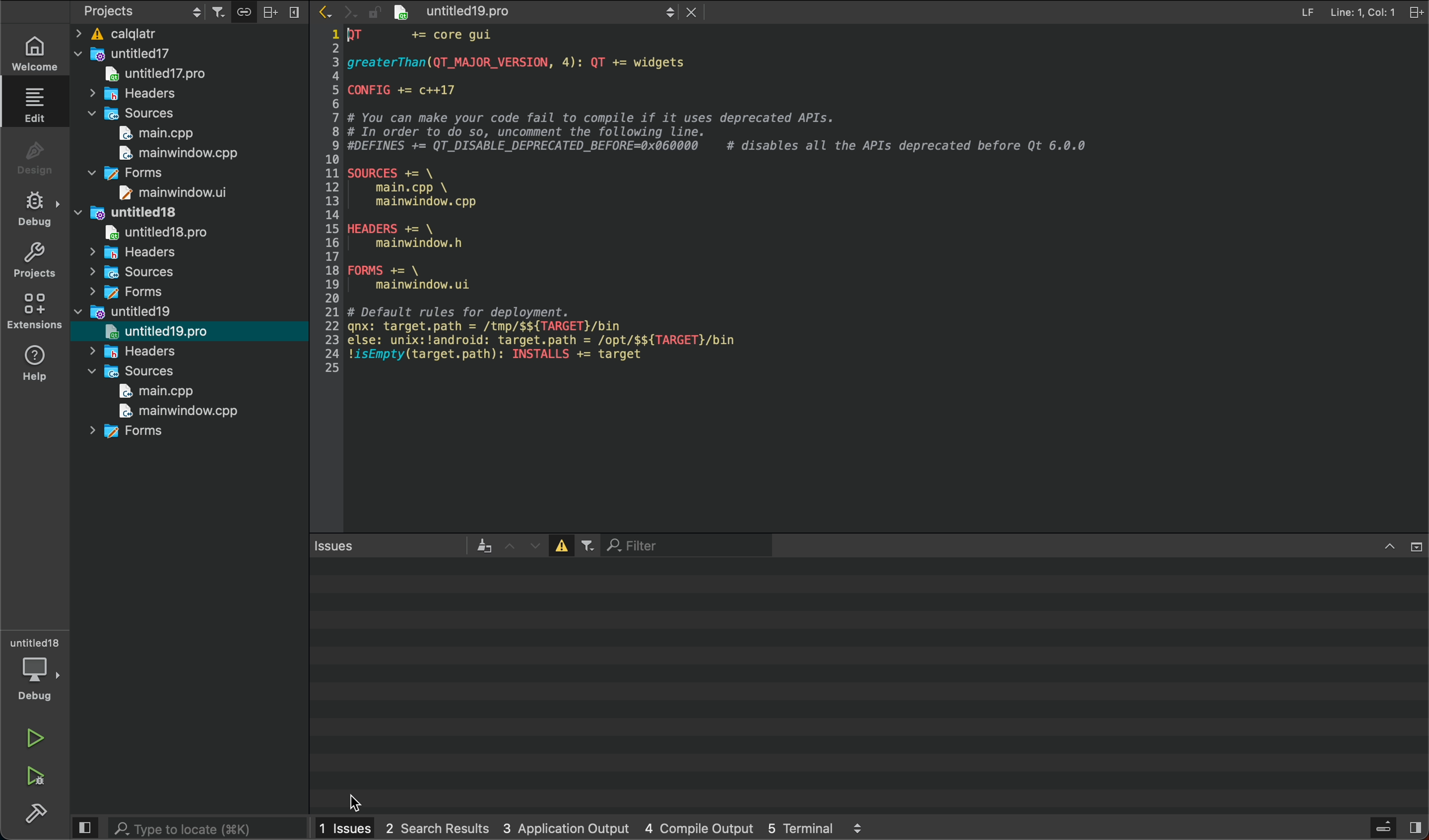 This screenshot has height=840, width=1429. Describe the element at coordinates (157, 74) in the screenshot. I see `untitled17.pro` at that location.